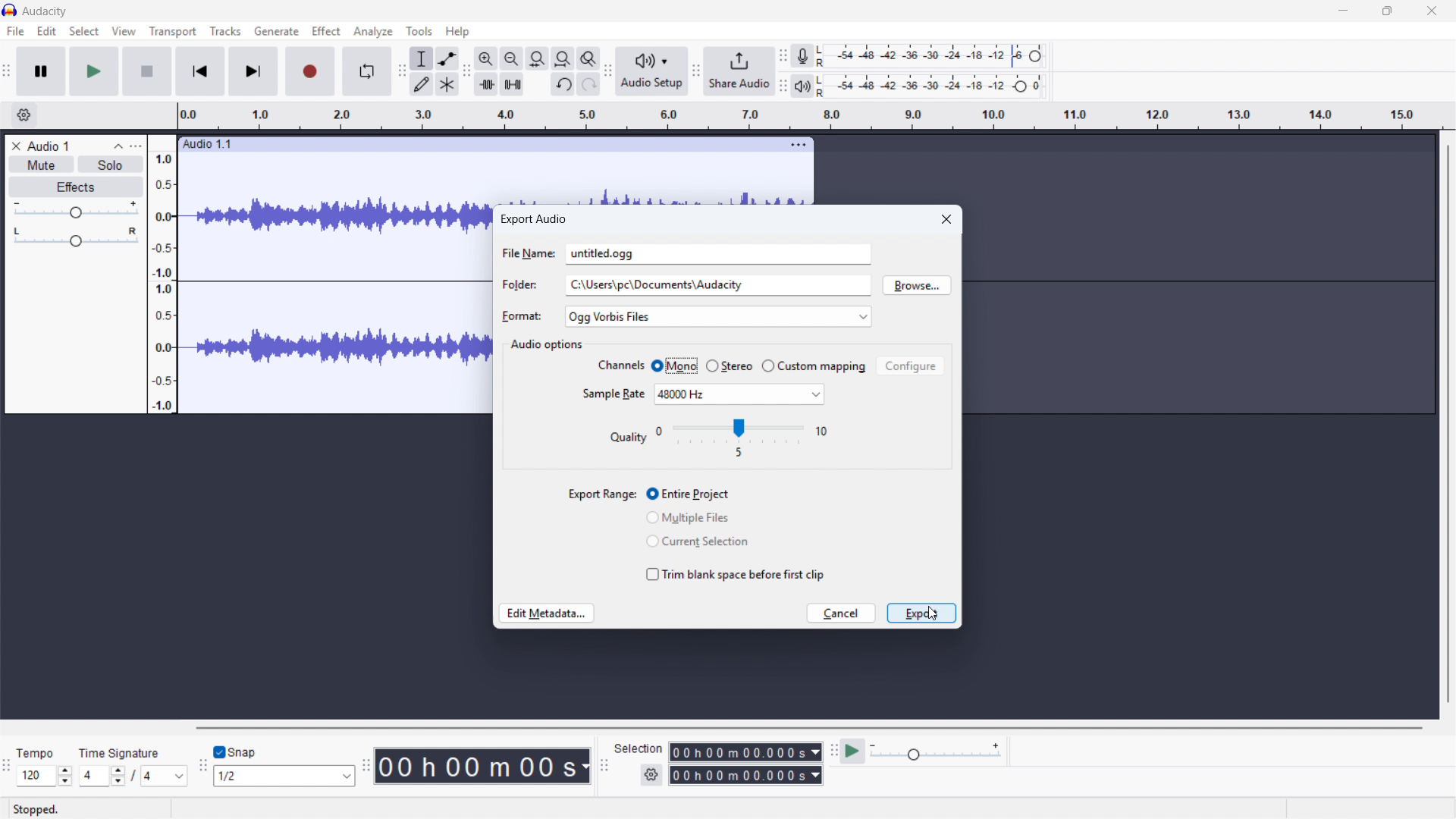 This screenshot has width=1456, height=819. What do you see at coordinates (918, 285) in the screenshot?
I see `Browse location ` at bounding box center [918, 285].